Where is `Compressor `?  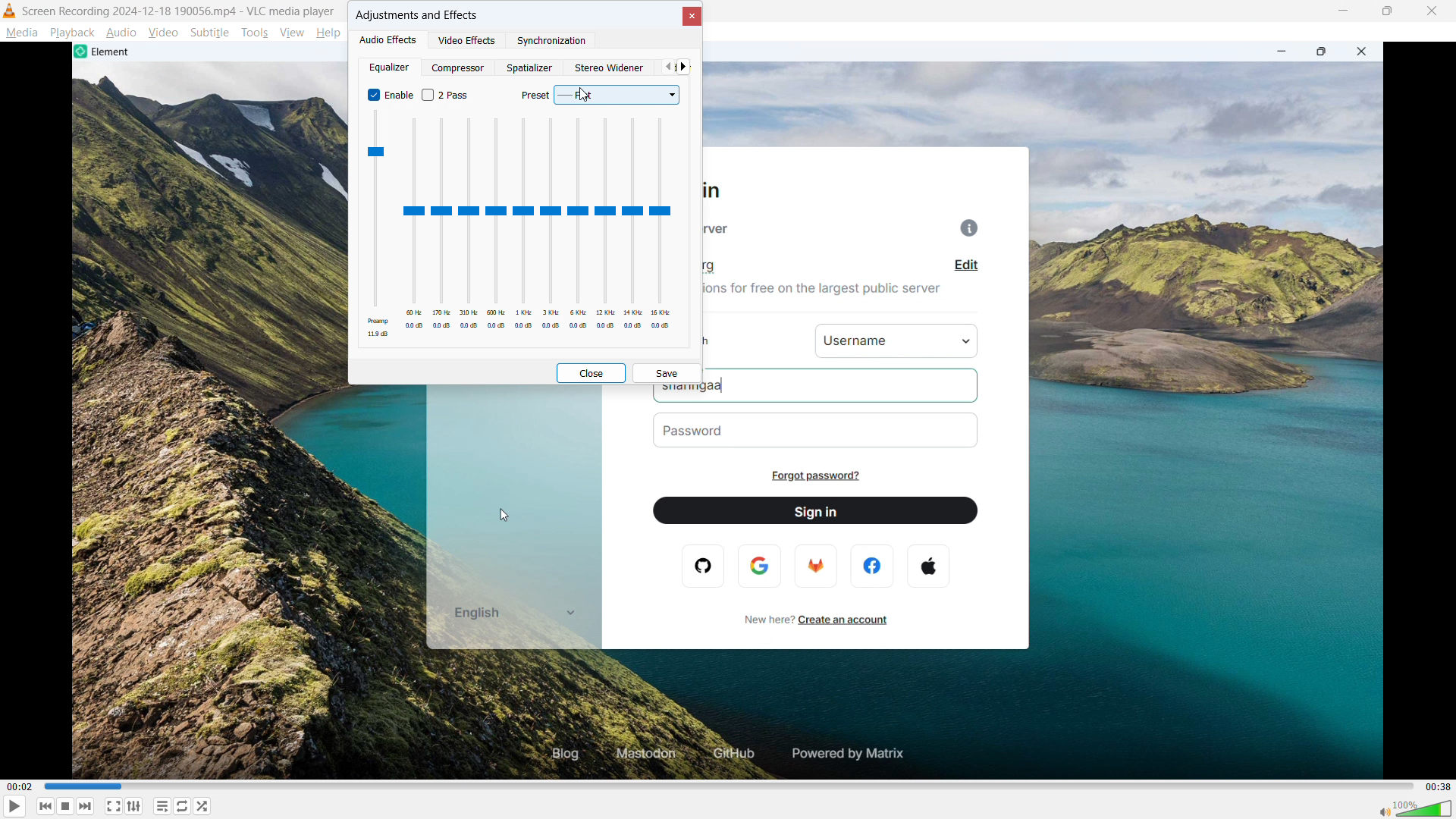 Compressor  is located at coordinates (460, 67).